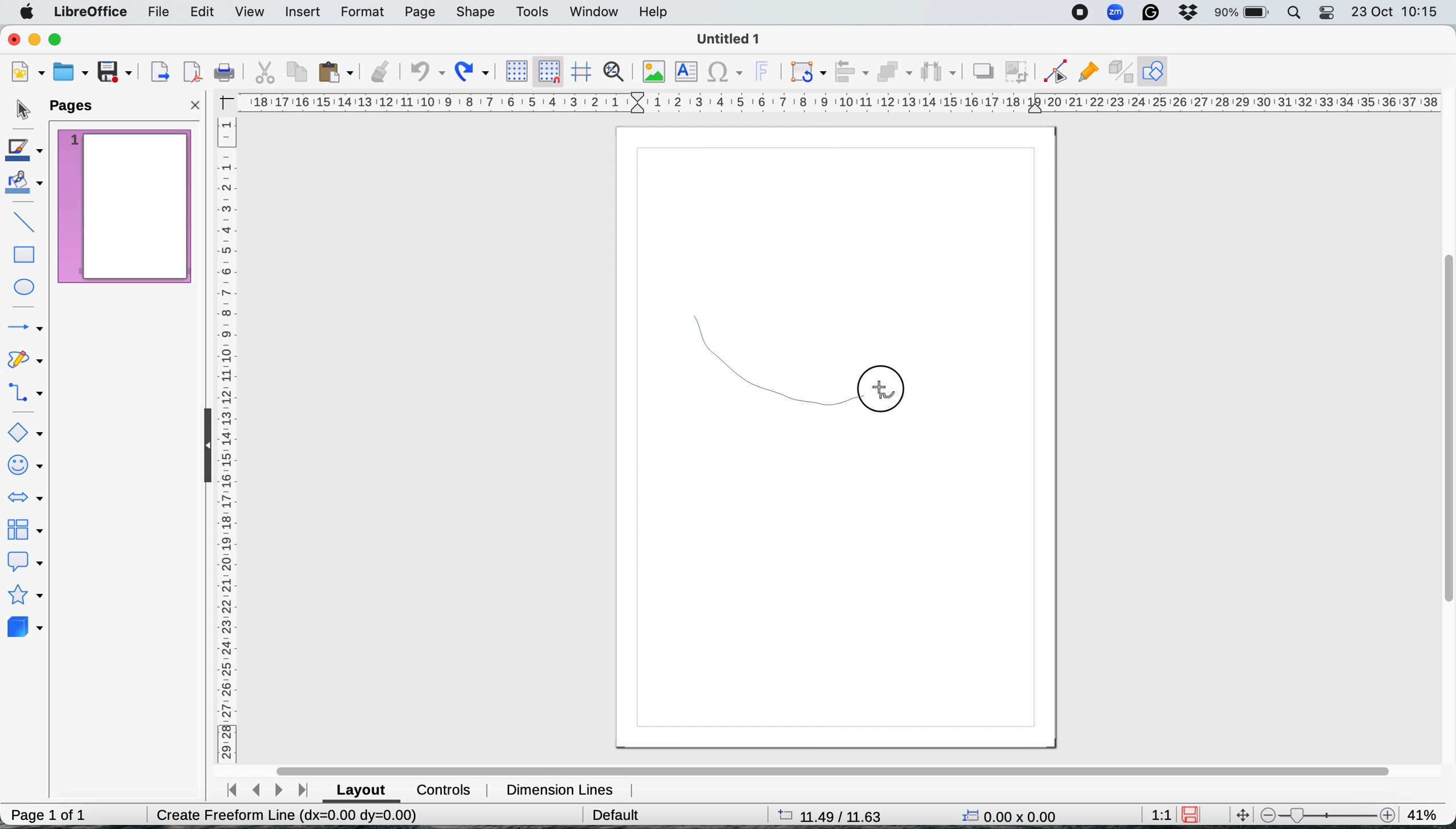  Describe the element at coordinates (614, 72) in the screenshot. I see `zoom and pan` at that location.